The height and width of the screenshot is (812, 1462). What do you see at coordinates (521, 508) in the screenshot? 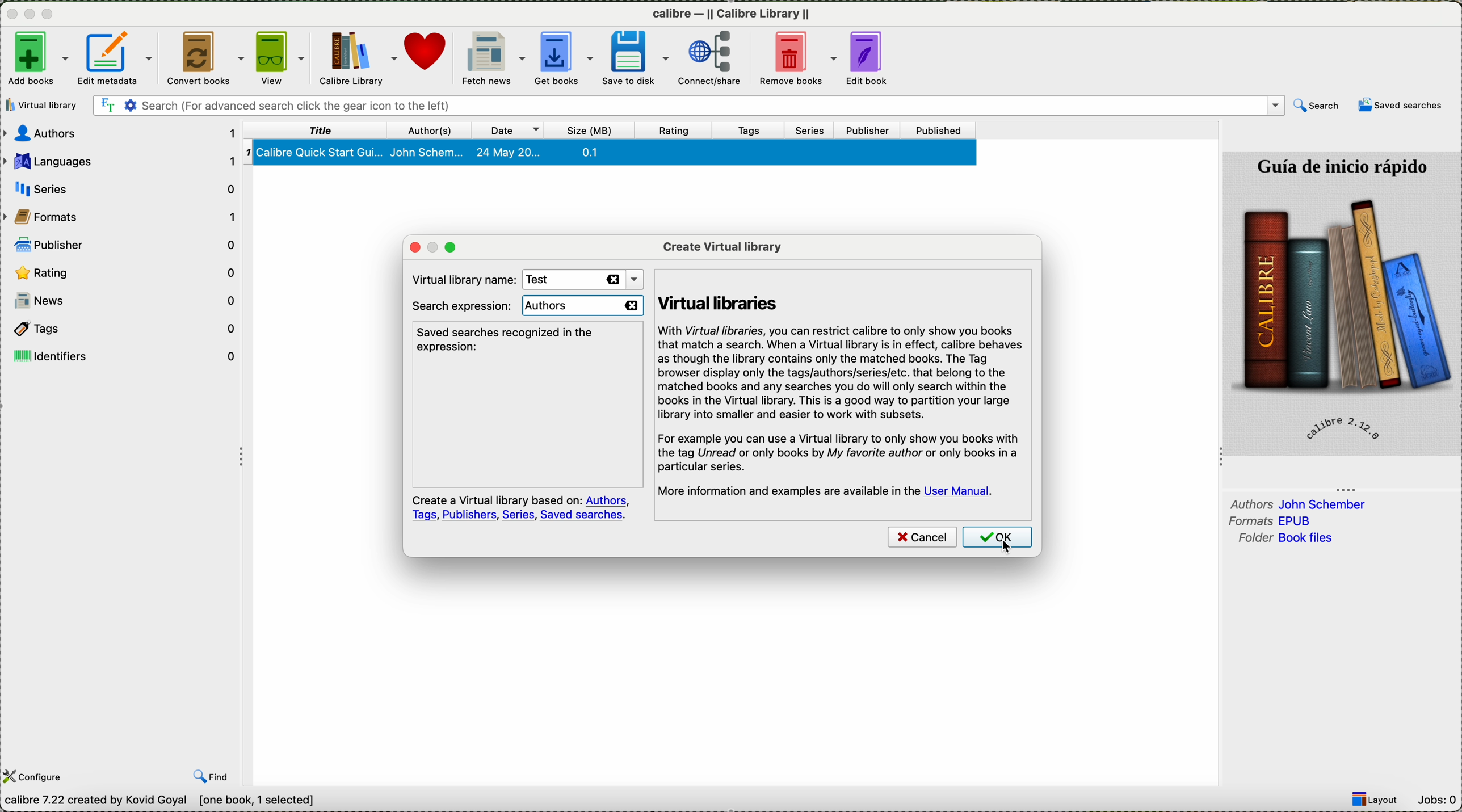
I see `note` at bounding box center [521, 508].